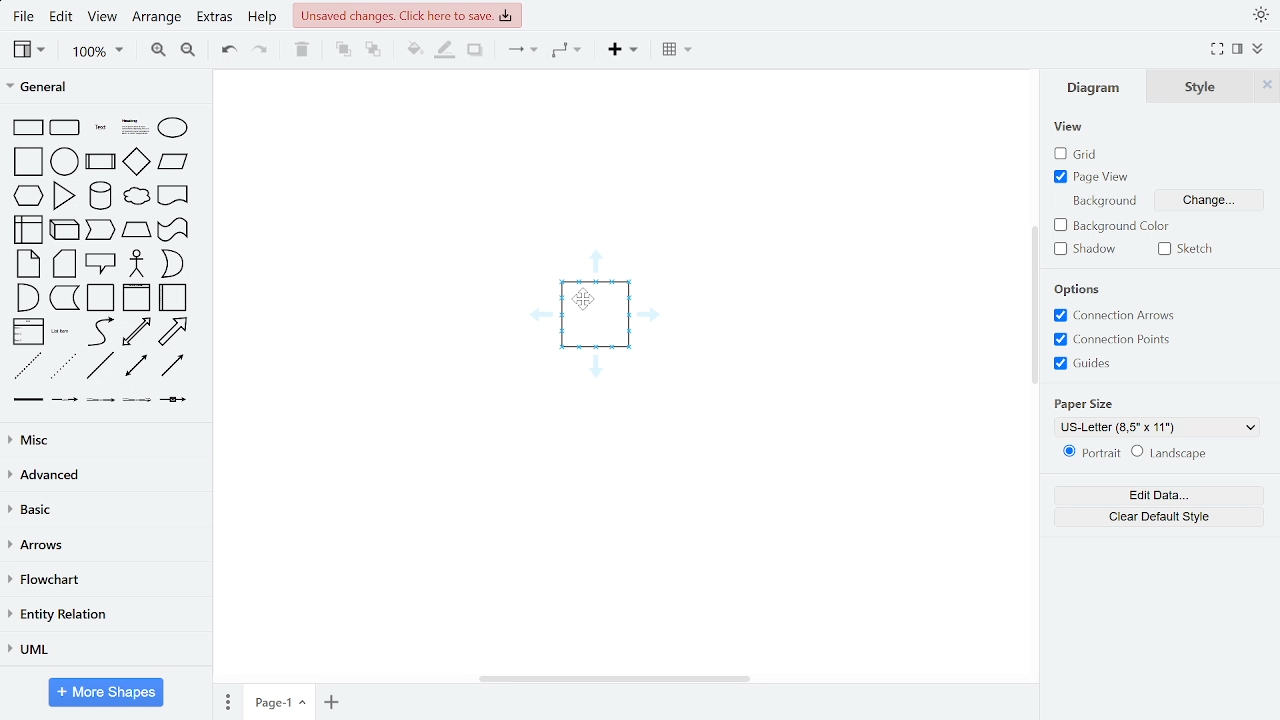  Describe the element at coordinates (600, 322) in the screenshot. I see `current diagram` at that location.